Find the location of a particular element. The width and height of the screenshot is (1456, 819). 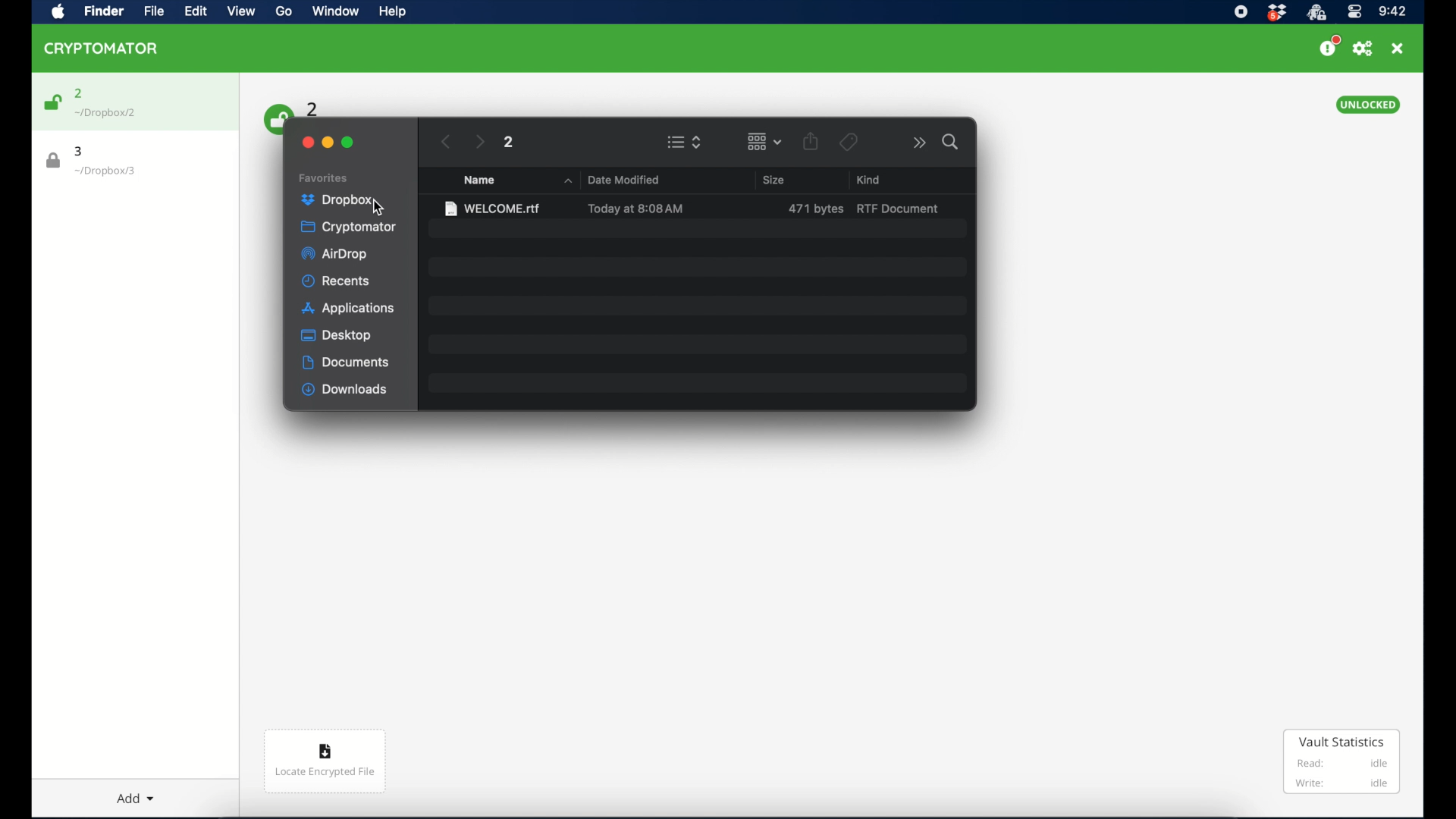

downloads is located at coordinates (345, 390).